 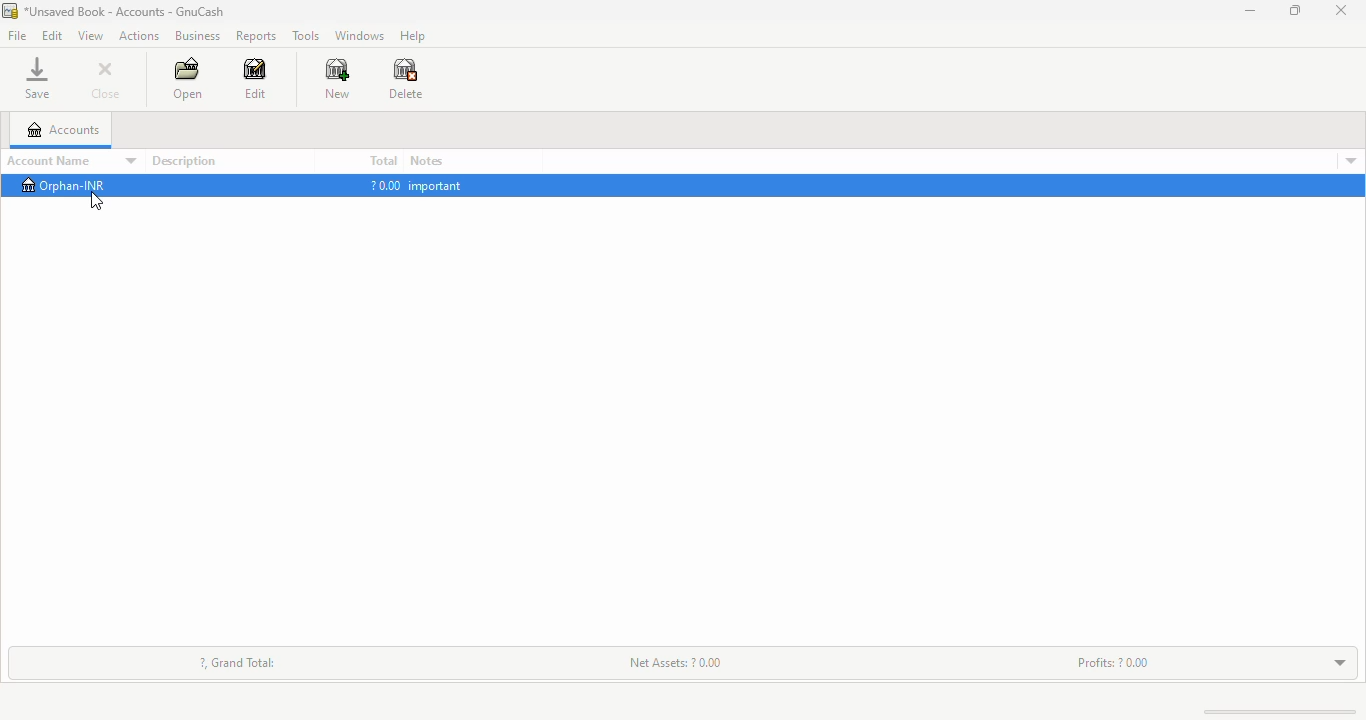 What do you see at coordinates (255, 78) in the screenshot?
I see `edit` at bounding box center [255, 78].